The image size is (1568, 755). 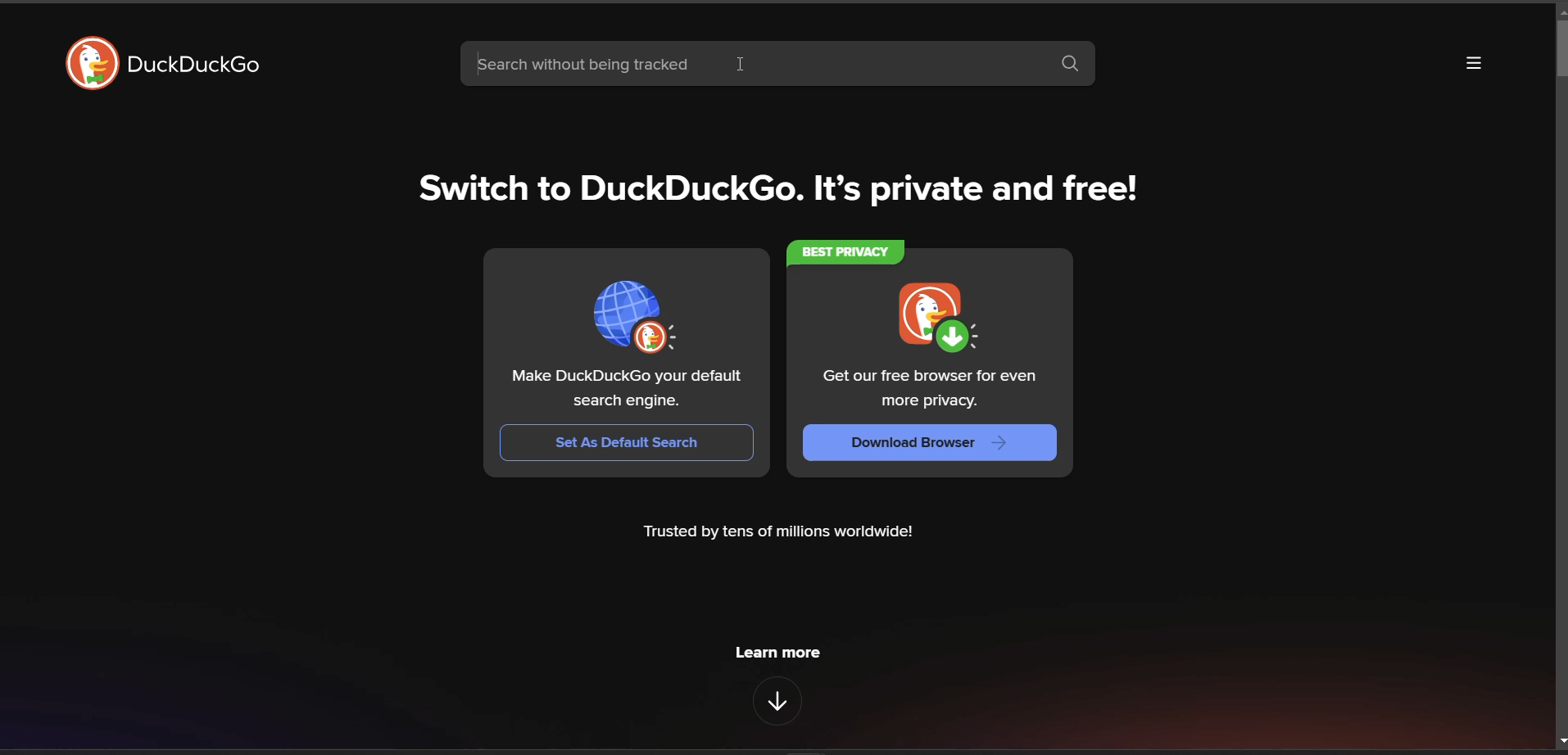 I want to click on search bar, so click(x=741, y=66).